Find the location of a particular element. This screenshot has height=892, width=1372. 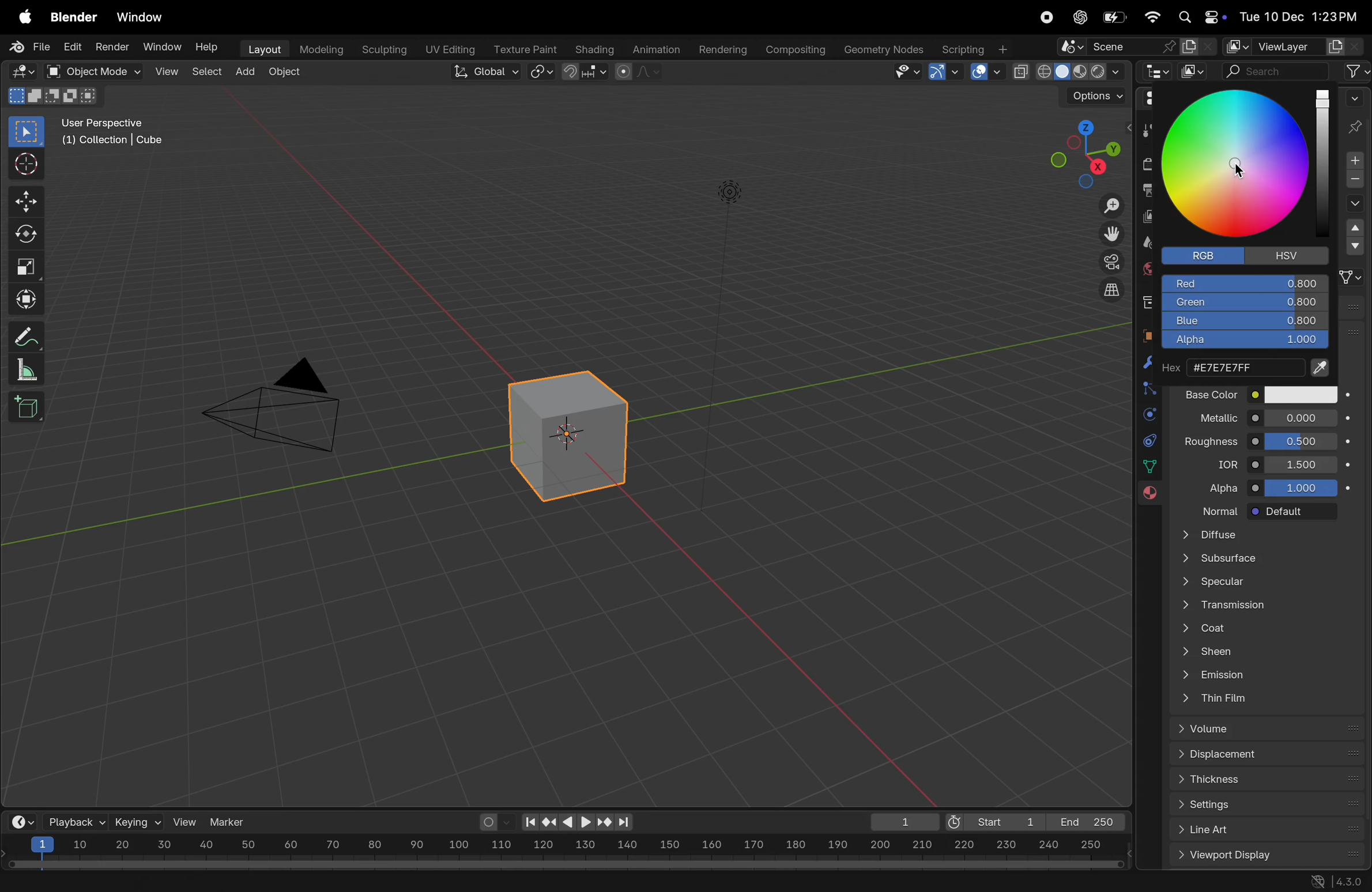

object mode is located at coordinates (88, 71).